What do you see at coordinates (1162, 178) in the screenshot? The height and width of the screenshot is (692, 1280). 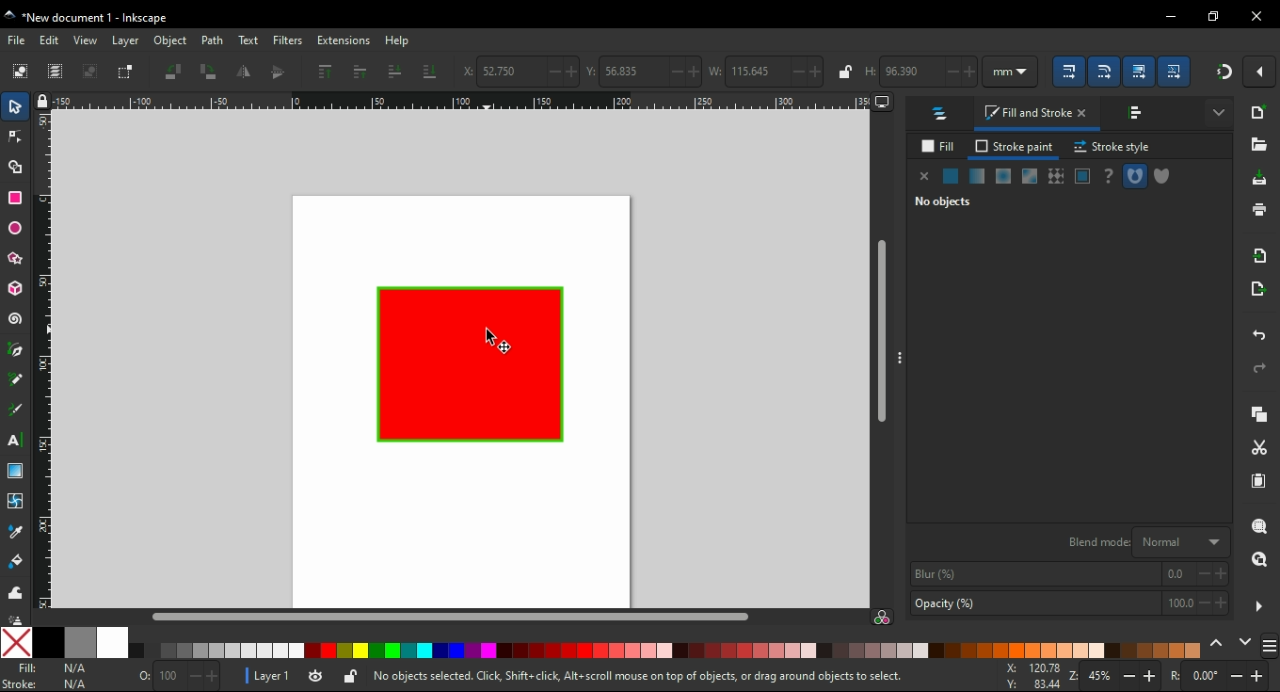 I see `fill rule` at bounding box center [1162, 178].